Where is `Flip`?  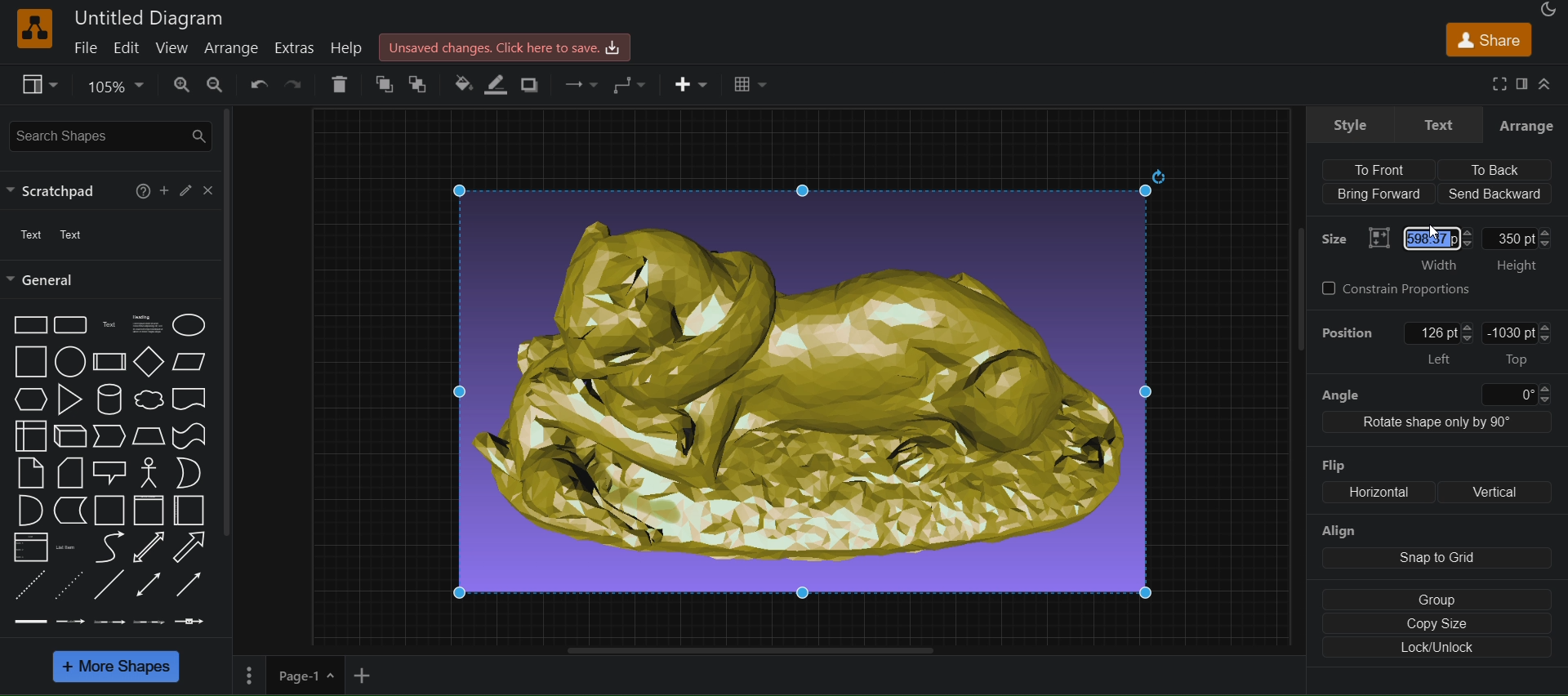 Flip is located at coordinates (1334, 465).